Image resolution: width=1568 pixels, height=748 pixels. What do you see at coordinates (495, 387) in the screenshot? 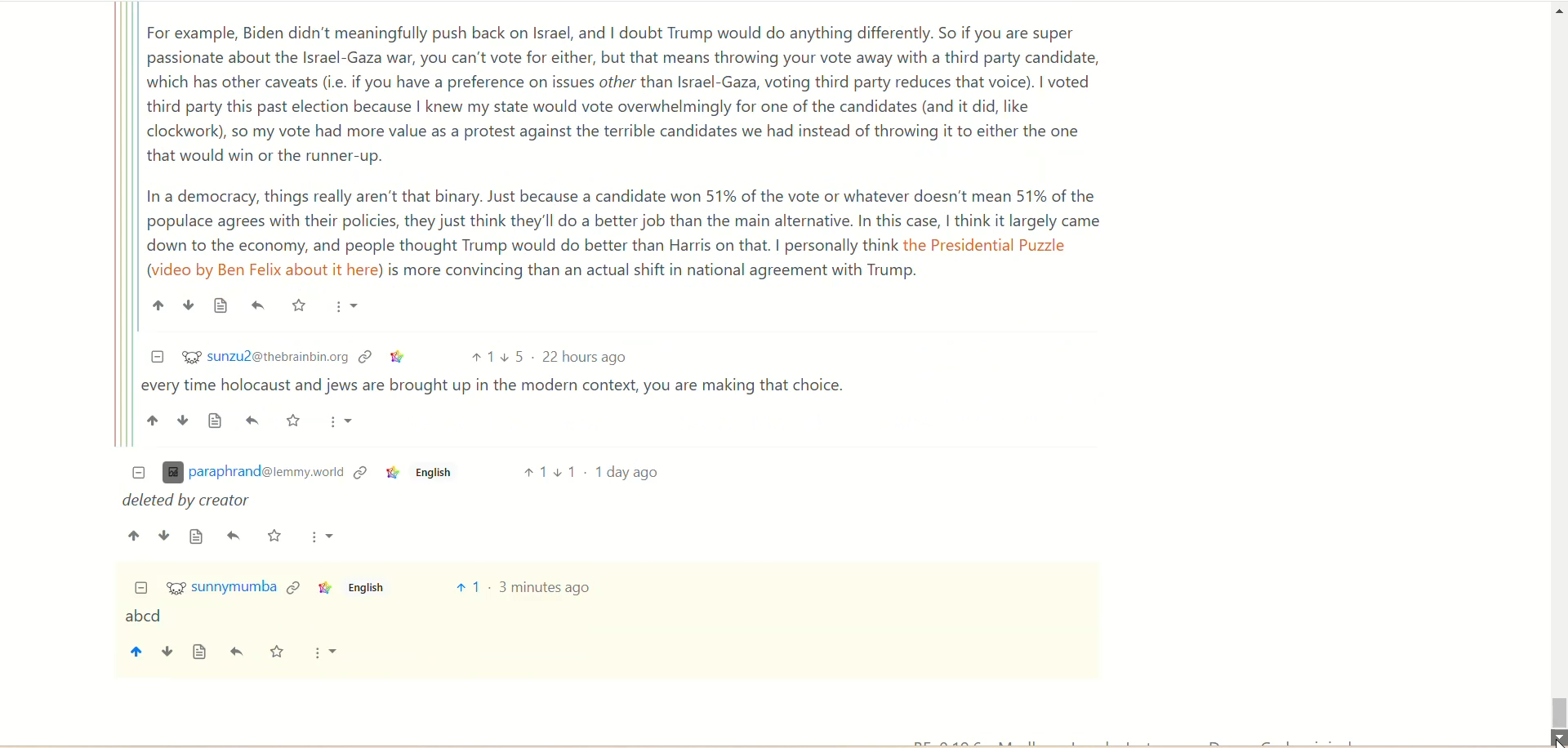
I see `| every time holocaust and jews are brought up in the modern context, you are making that choice.` at bounding box center [495, 387].